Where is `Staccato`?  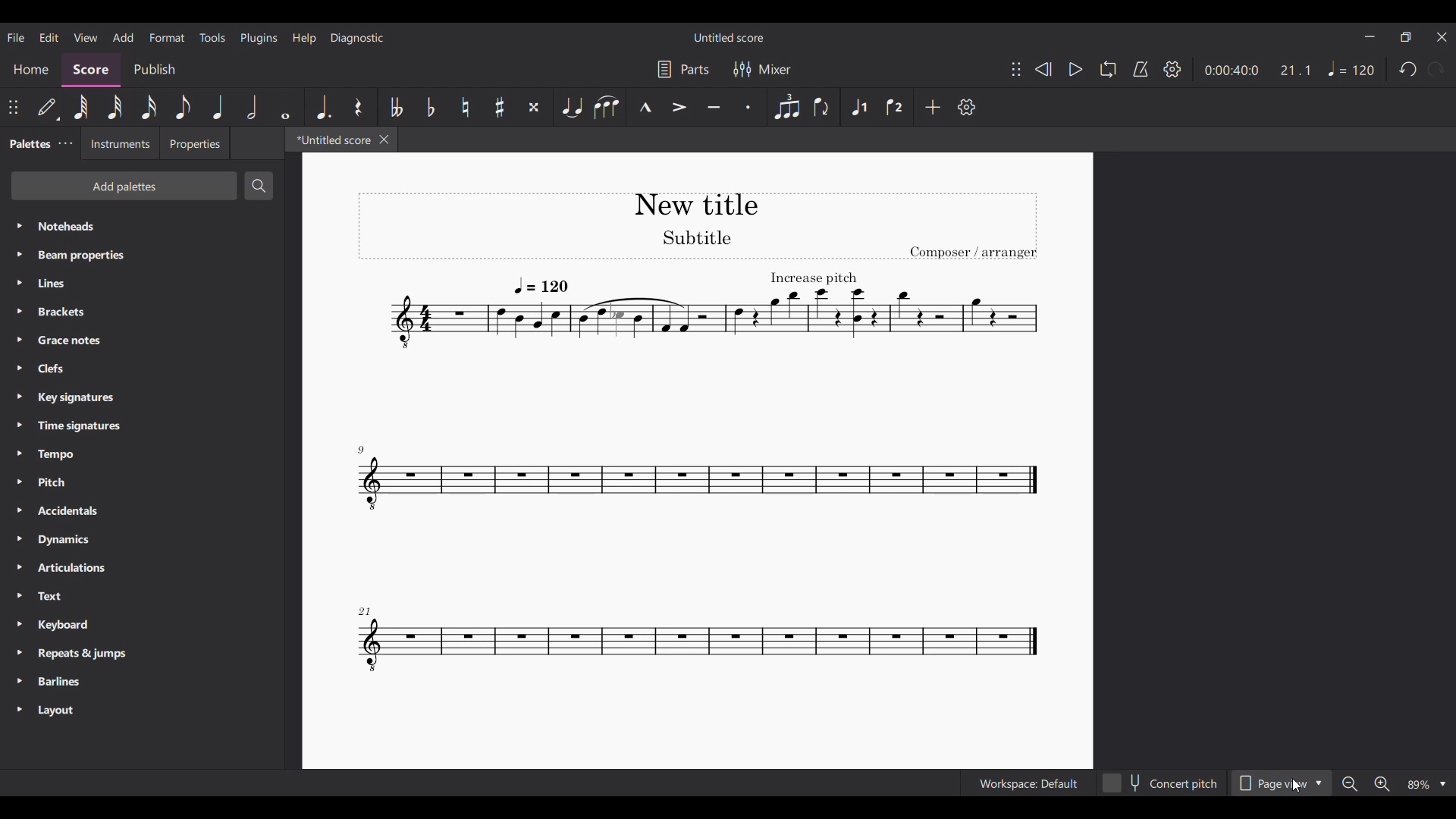 Staccato is located at coordinates (748, 107).